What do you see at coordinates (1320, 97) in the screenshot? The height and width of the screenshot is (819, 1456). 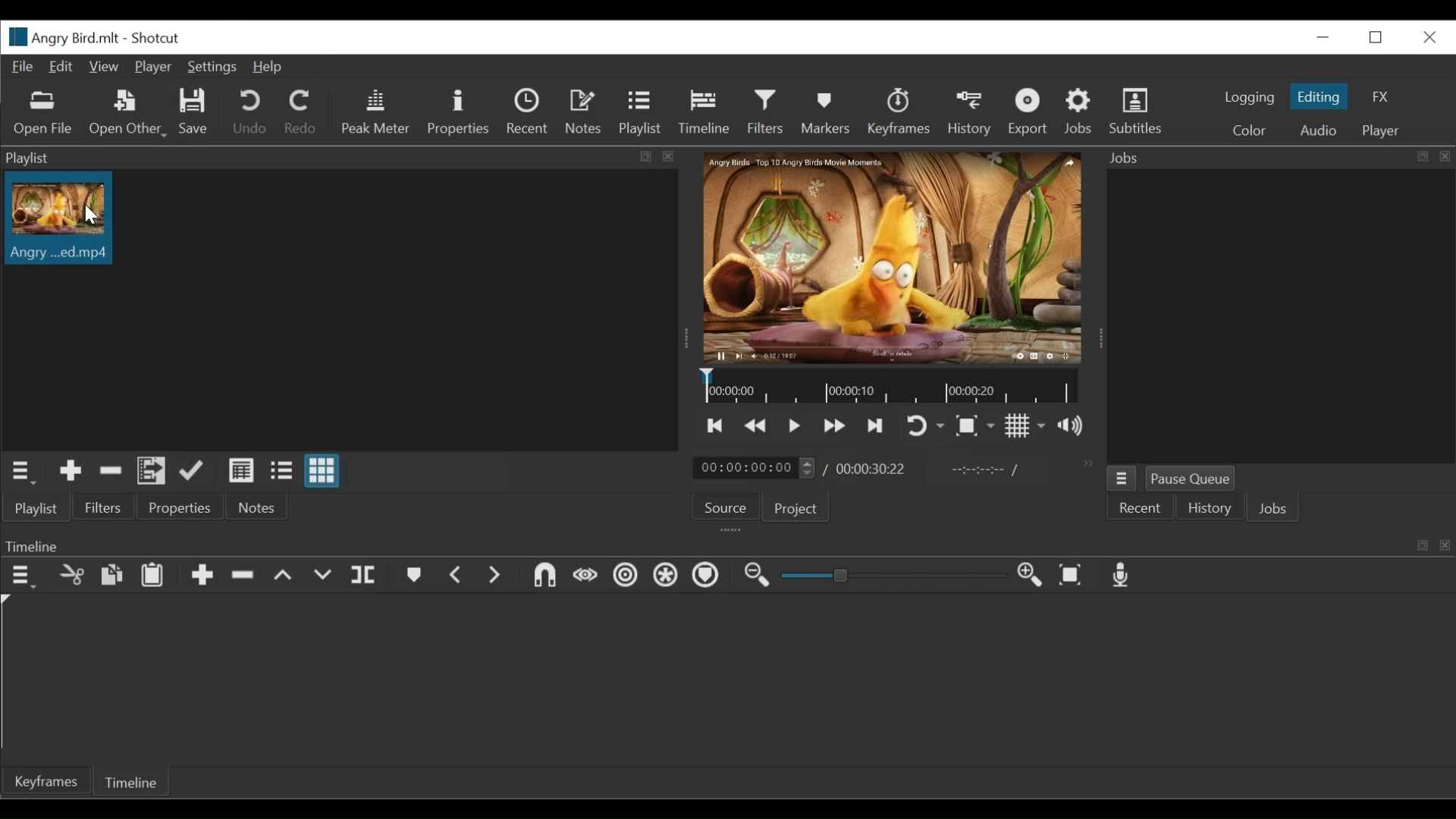 I see `Editing` at bounding box center [1320, 97].